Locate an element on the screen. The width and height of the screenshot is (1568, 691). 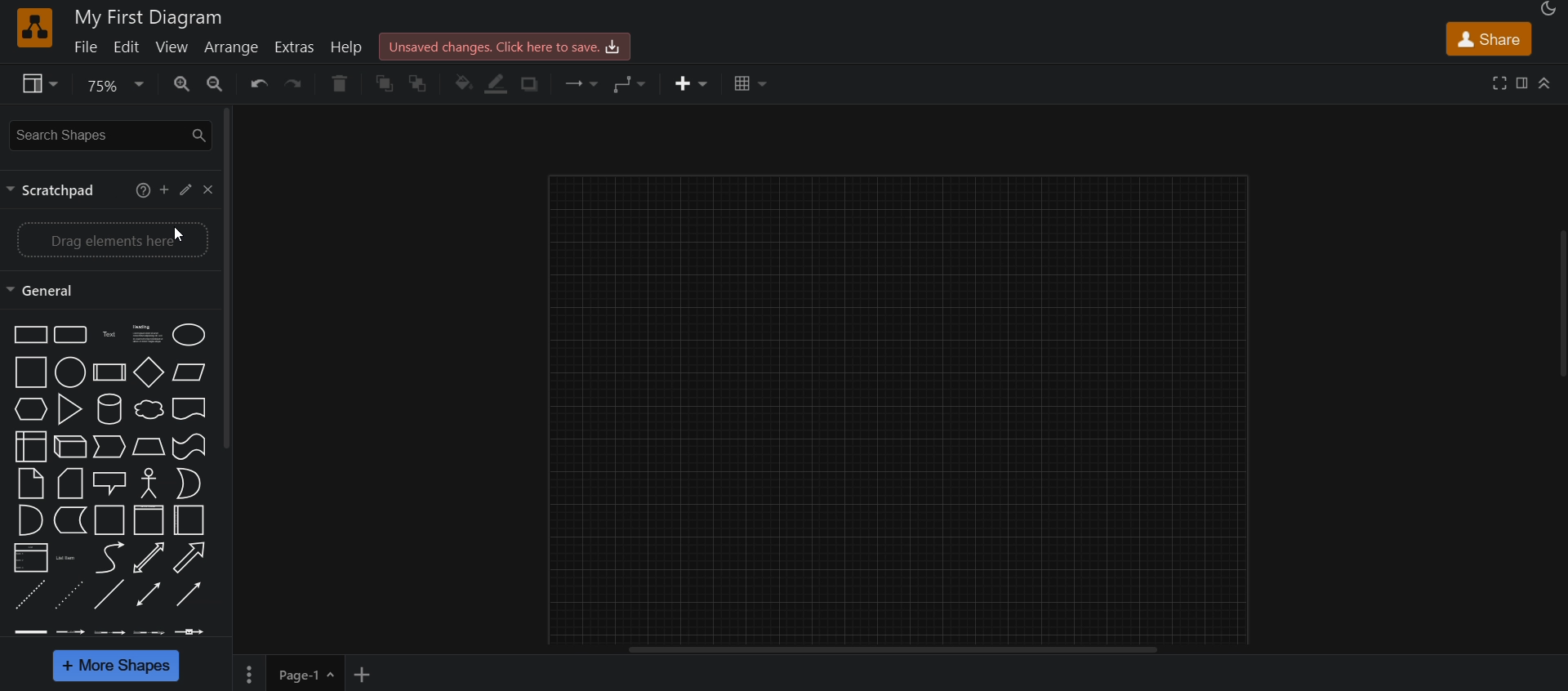
table is located at coordinates (750, 86).